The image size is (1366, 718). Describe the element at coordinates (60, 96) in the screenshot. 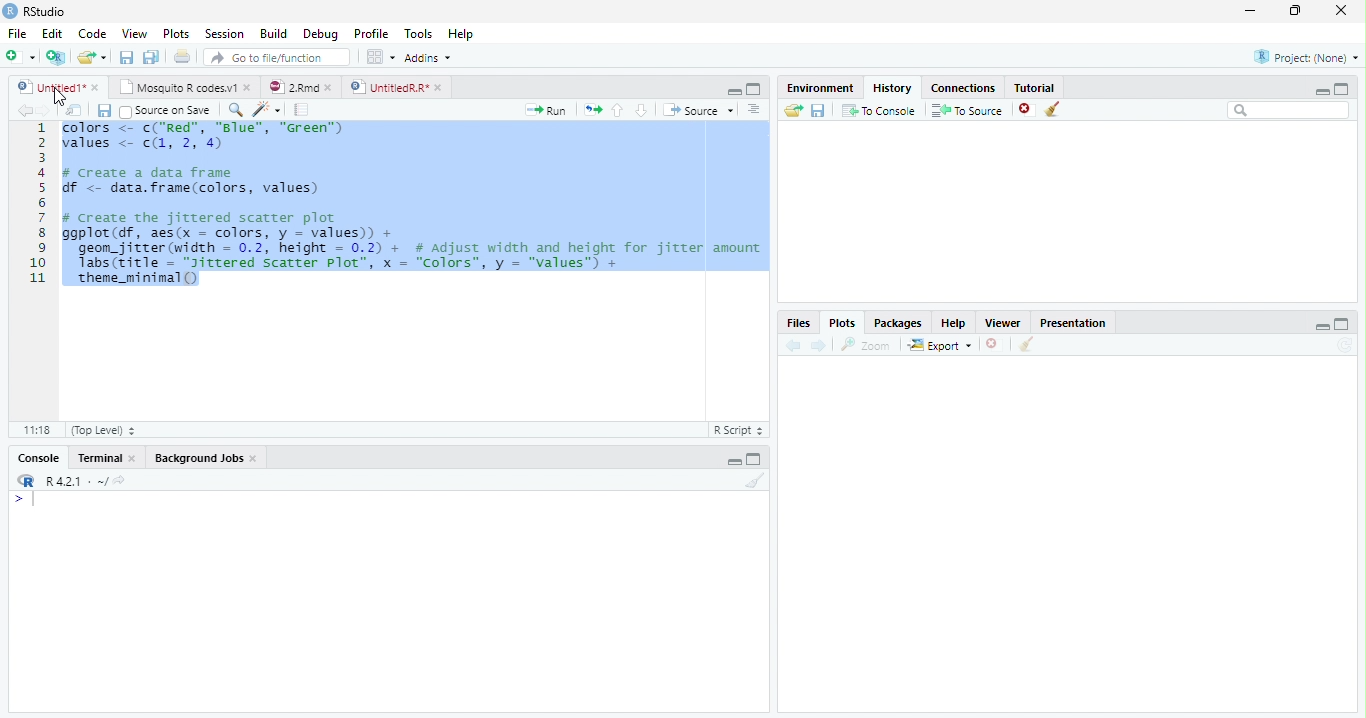

I see `cursor` at that location.